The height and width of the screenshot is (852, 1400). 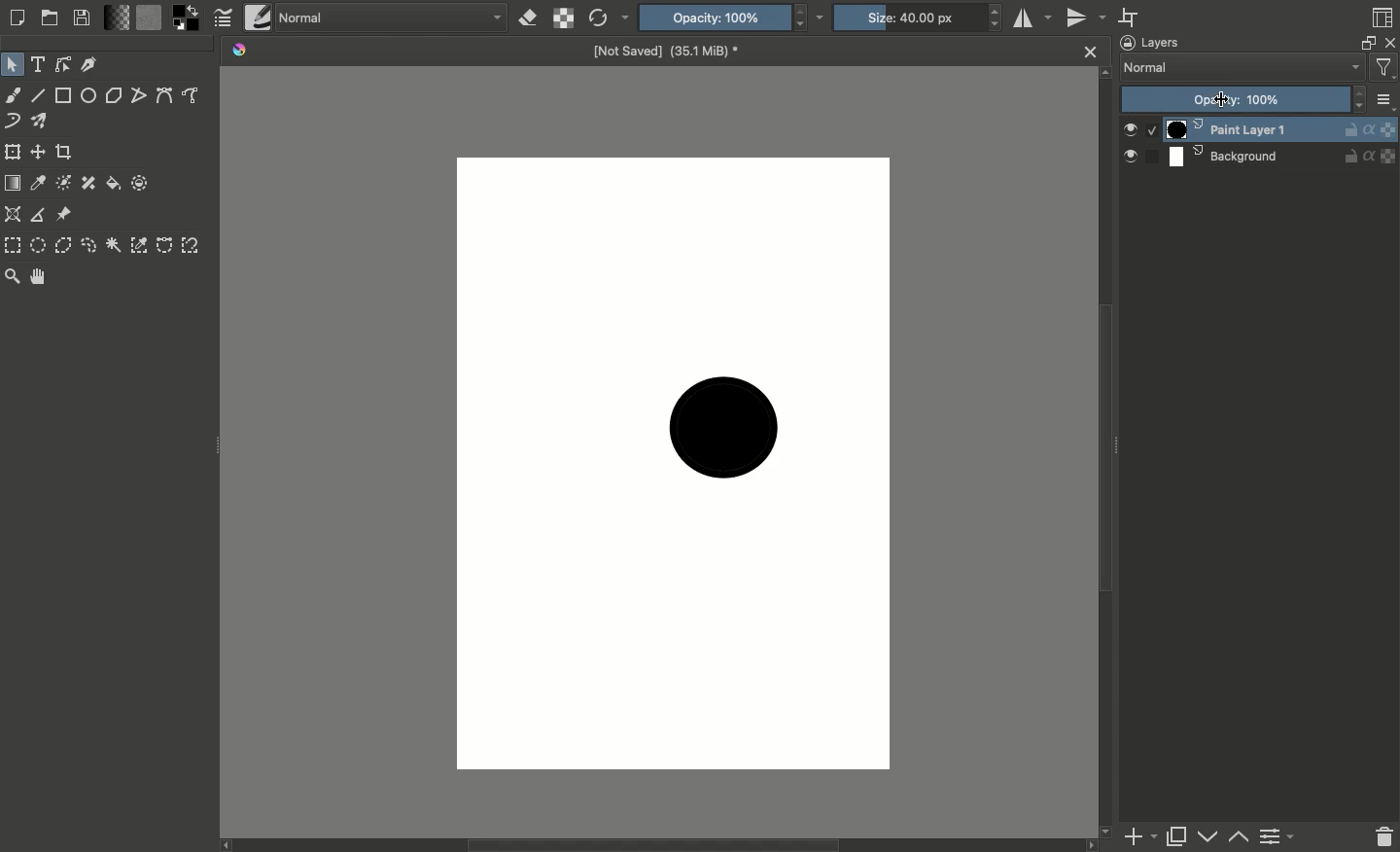 I want to click on Sorting and filtering, so click(x=1386, y=71).